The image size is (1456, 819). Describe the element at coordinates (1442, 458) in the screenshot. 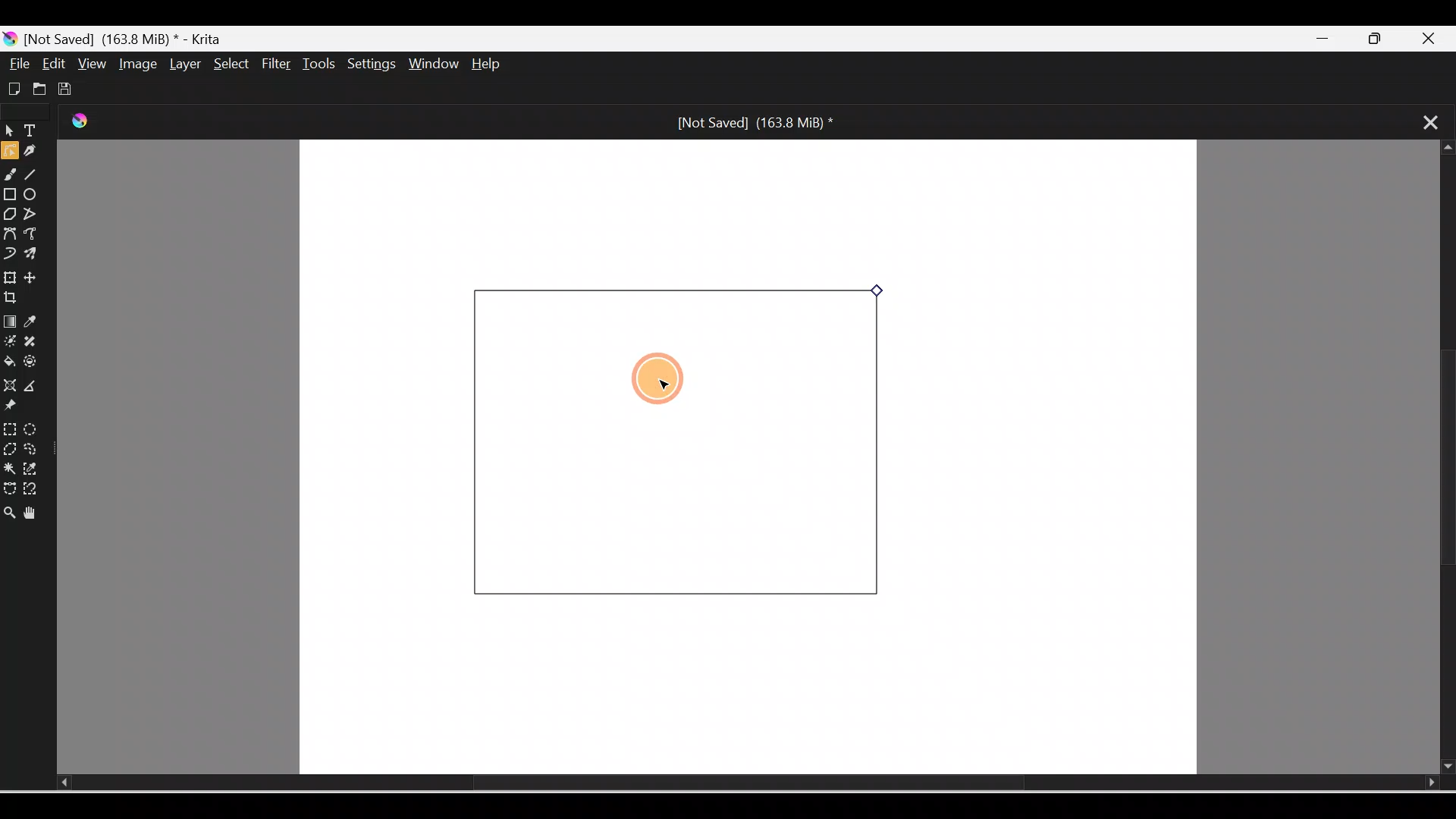

I see `Scroll bar` at that location.